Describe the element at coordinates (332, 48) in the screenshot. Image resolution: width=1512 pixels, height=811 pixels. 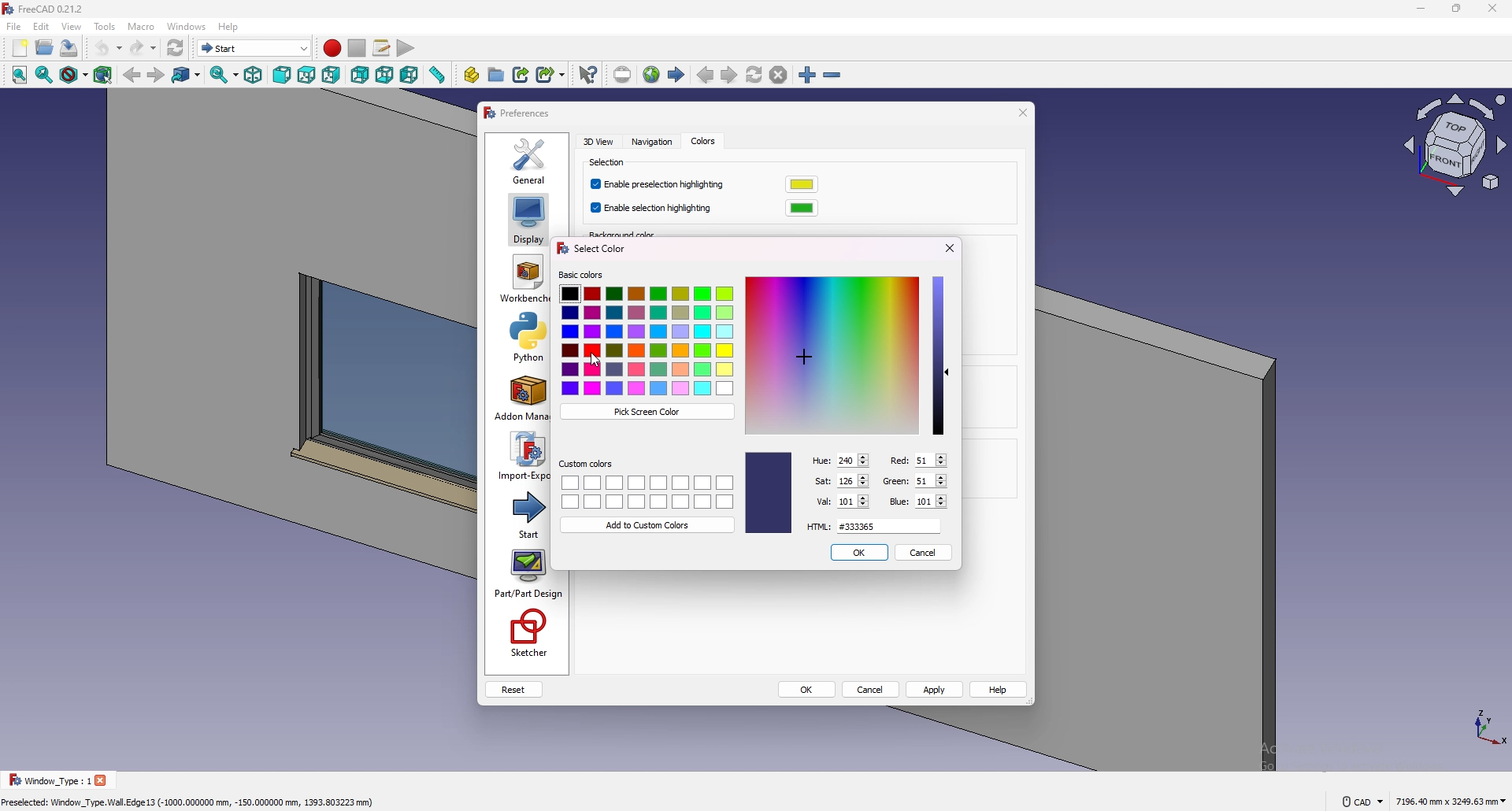
I see `record macros` at that location.